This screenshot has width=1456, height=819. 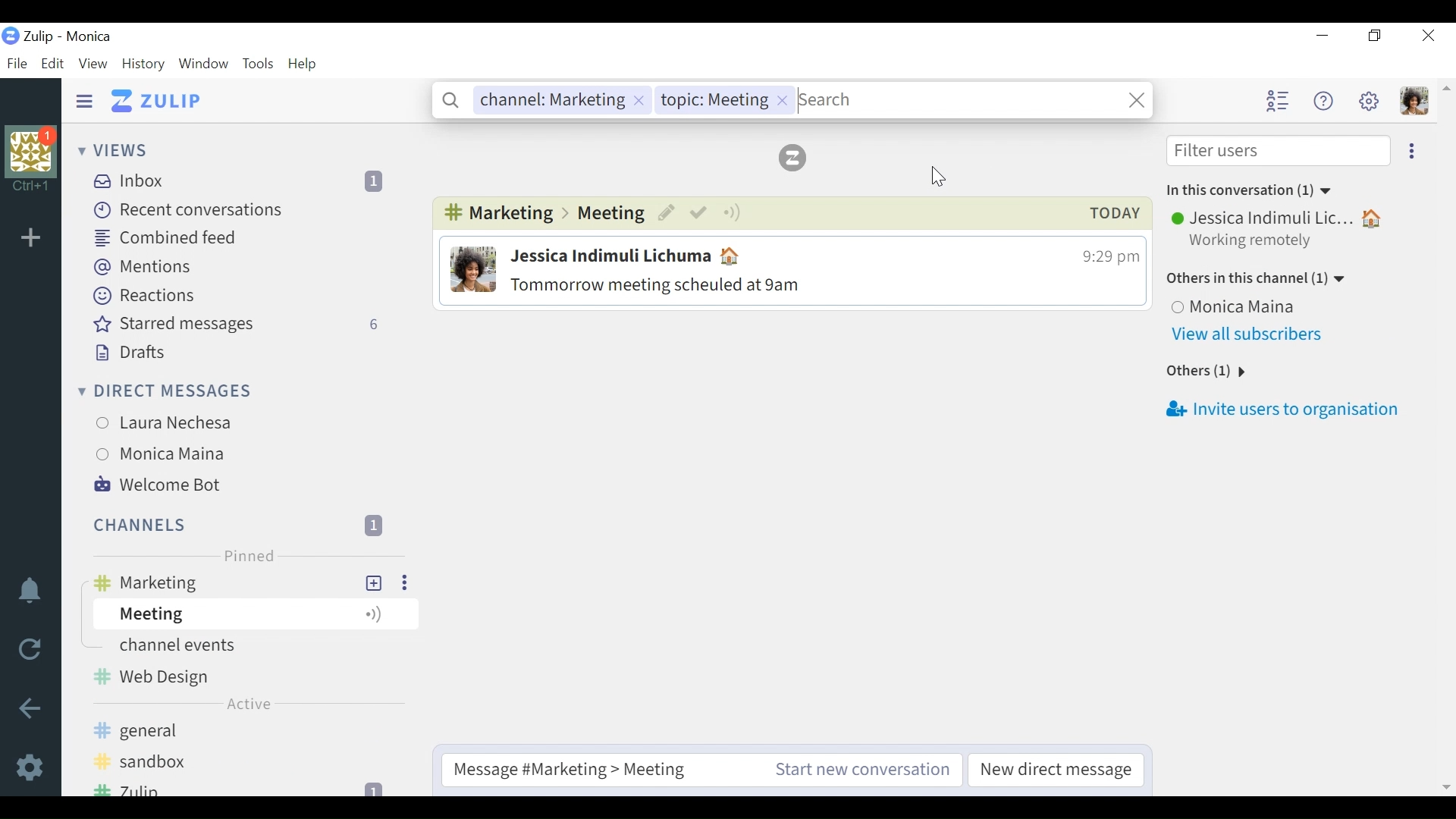 I want to click on cursor, so click(x=935, y=177).